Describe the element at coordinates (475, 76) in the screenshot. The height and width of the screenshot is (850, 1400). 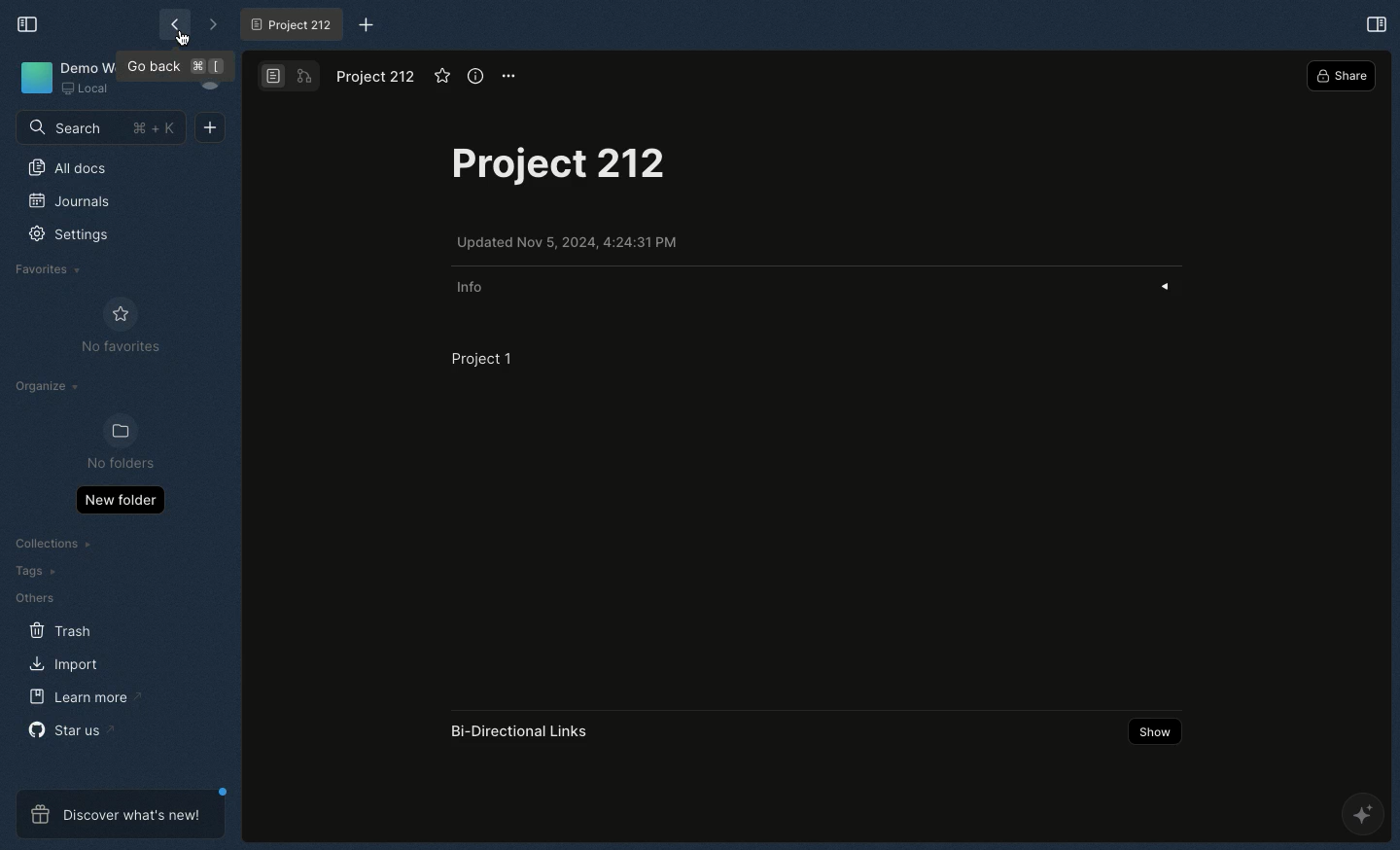
I see `More info` at that location.